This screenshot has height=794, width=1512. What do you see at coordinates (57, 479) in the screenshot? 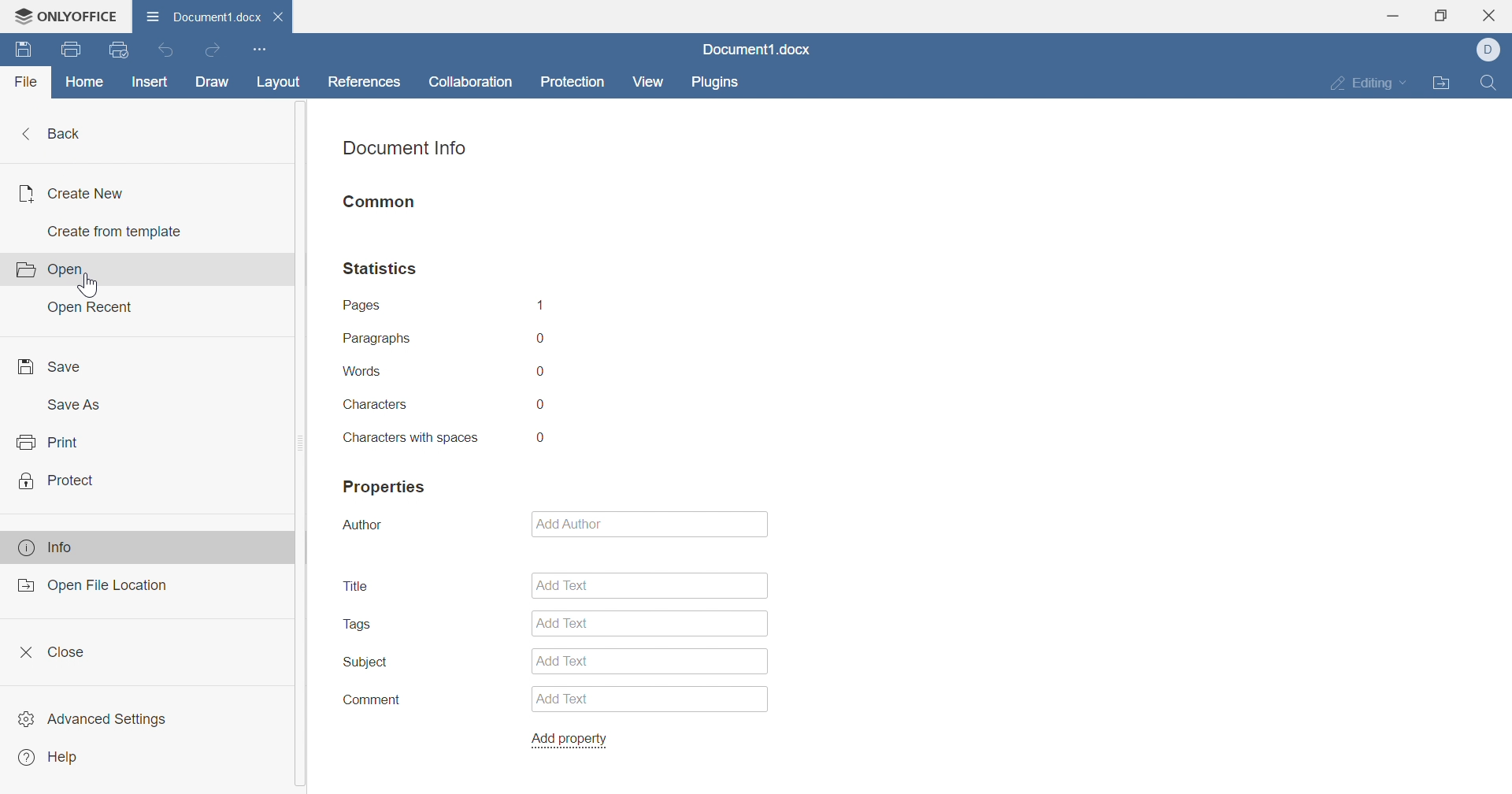
I see `protect` at bounding box center [57, 479].